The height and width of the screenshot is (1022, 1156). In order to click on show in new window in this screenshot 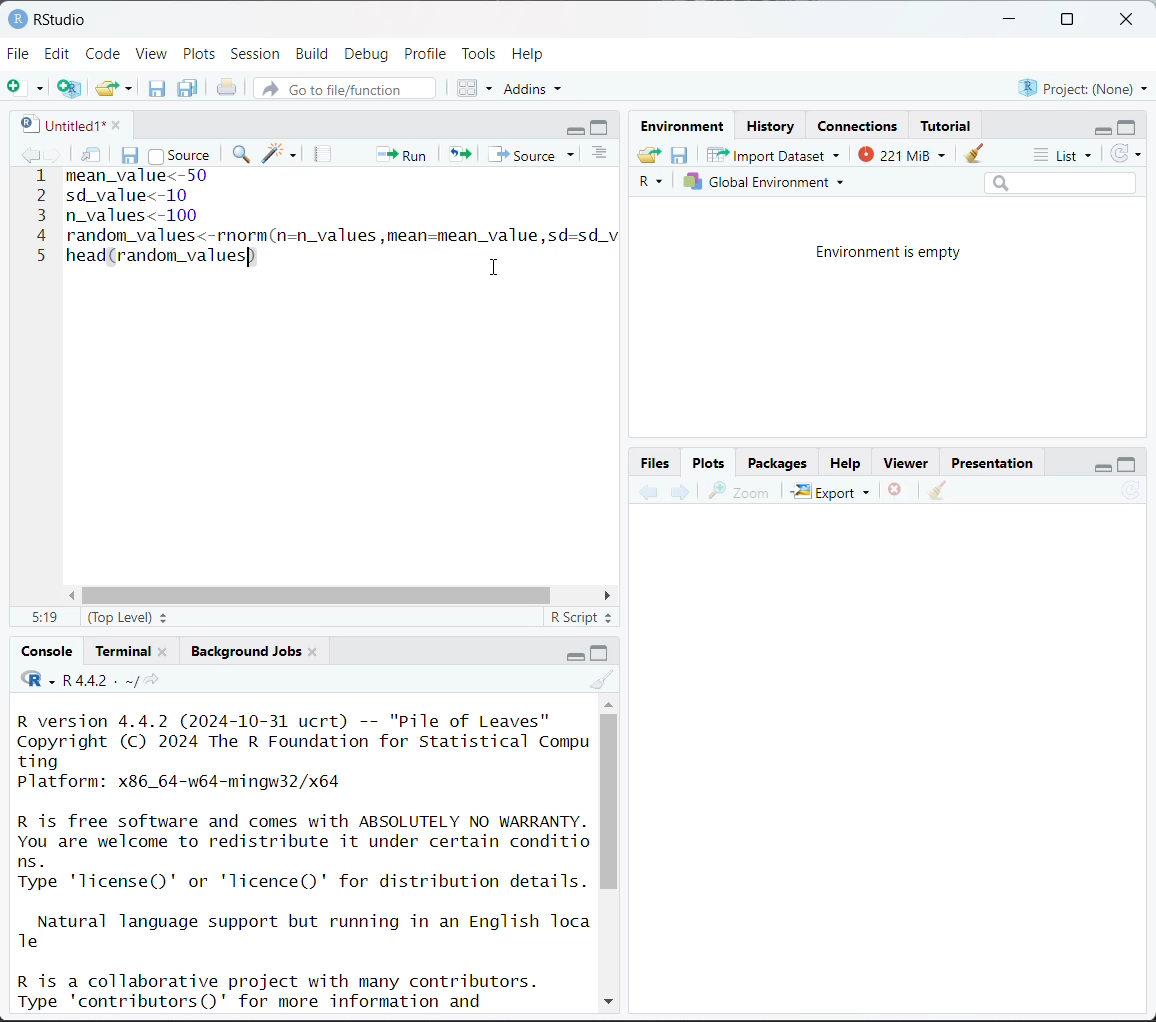, I will do `click(93, 156)`.